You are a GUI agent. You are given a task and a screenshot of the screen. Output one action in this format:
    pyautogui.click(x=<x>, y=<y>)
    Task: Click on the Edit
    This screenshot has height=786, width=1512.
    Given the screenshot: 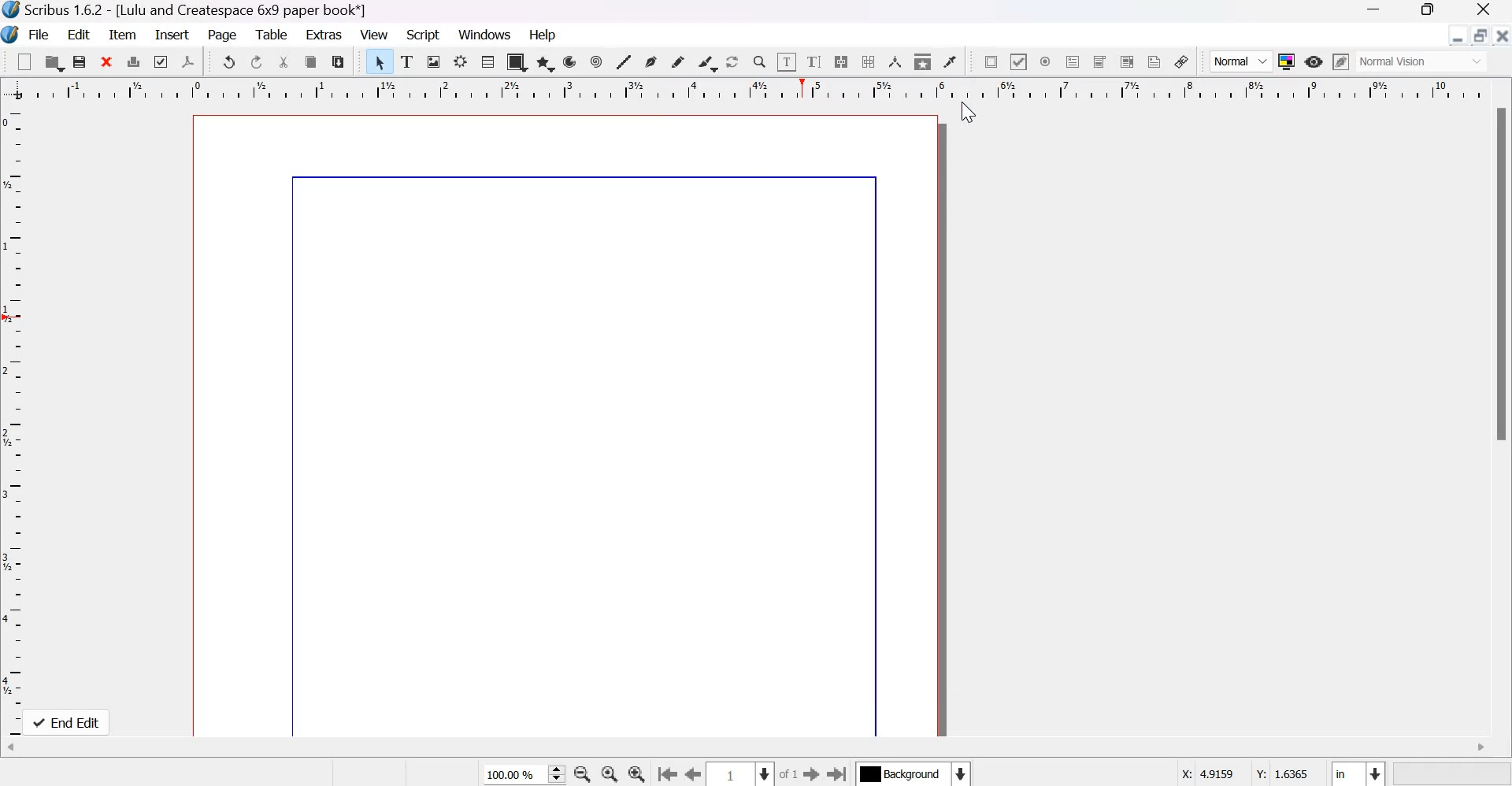 What is the action you would take?
    pyautogui.click(x=79, y=33)
    